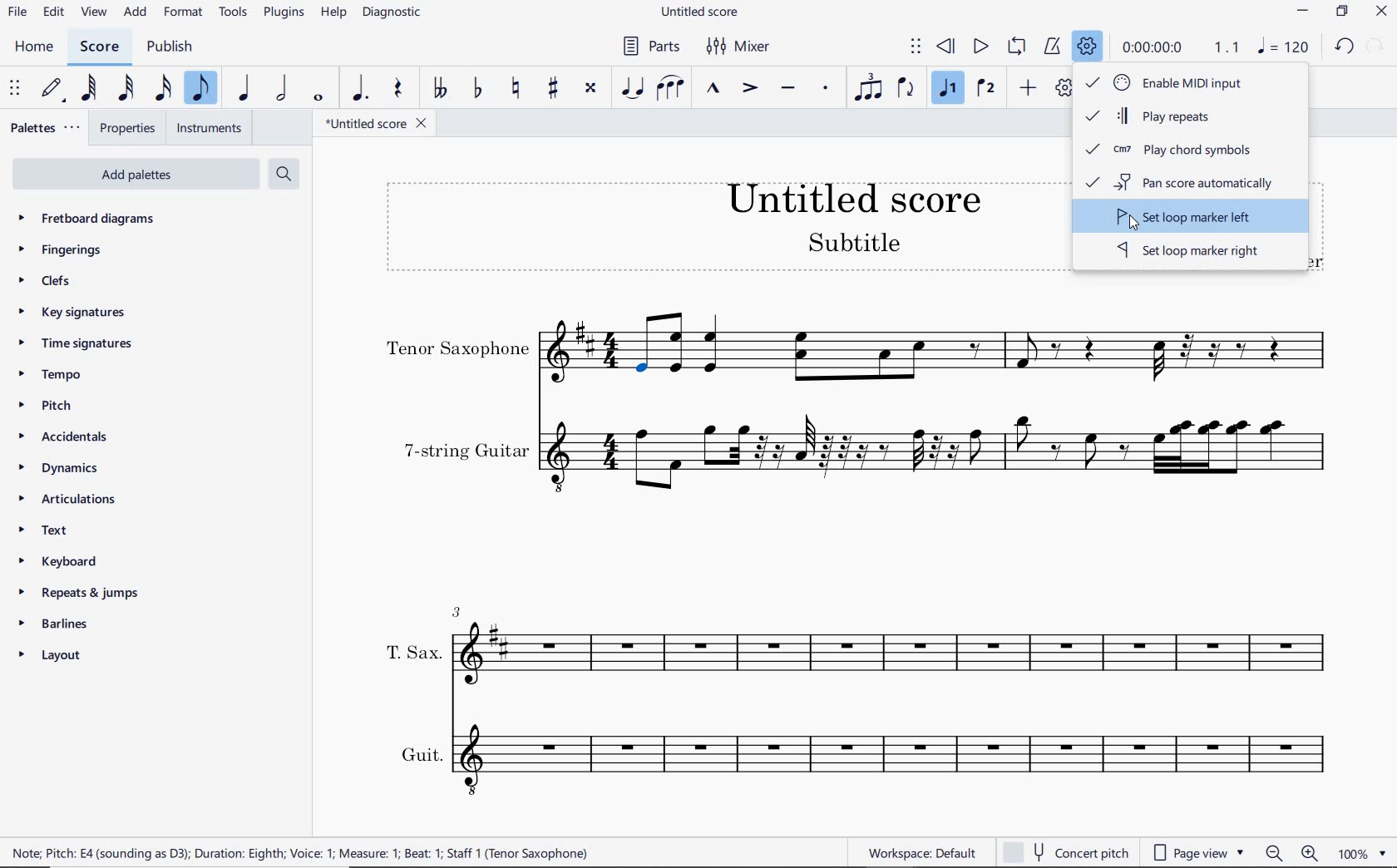  What do you see at coordinates (949, 89) in the screenshot?
I see `VOICE 1` at bounding box center [949, 89].